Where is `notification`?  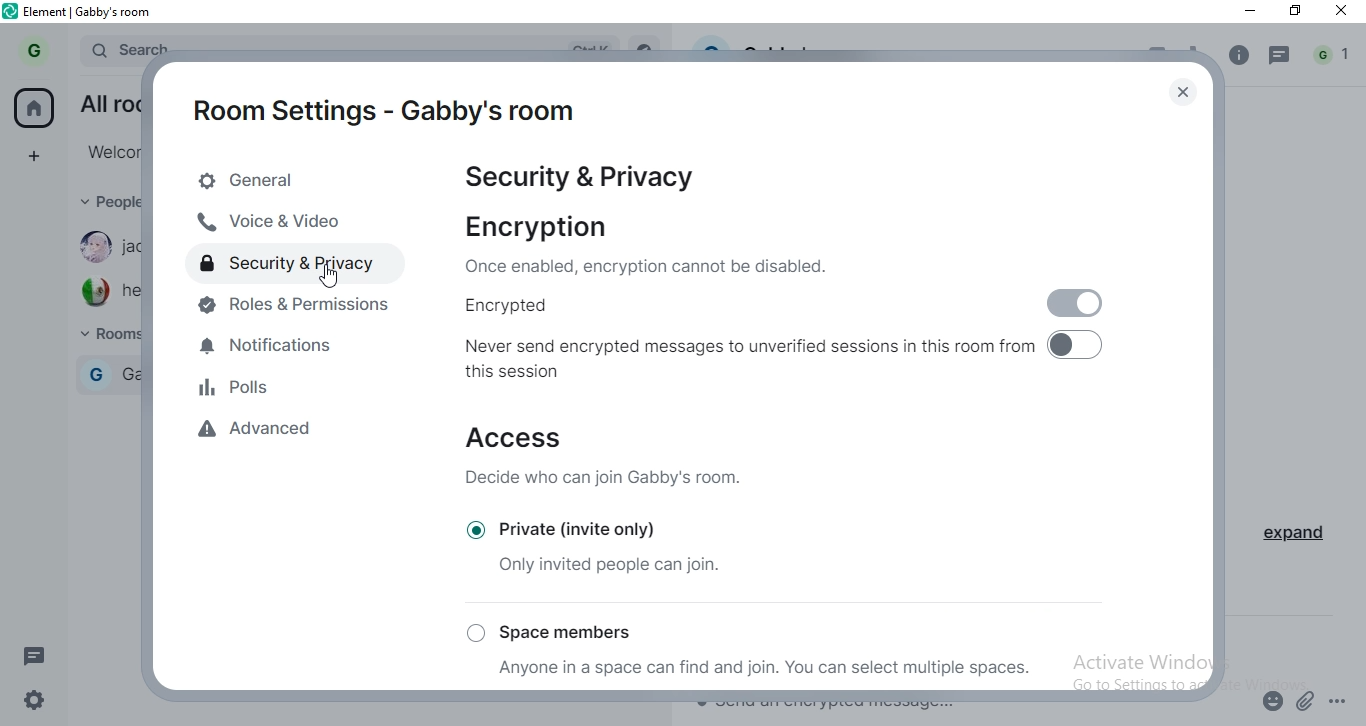
notification is located at coordinates (1334, 56).